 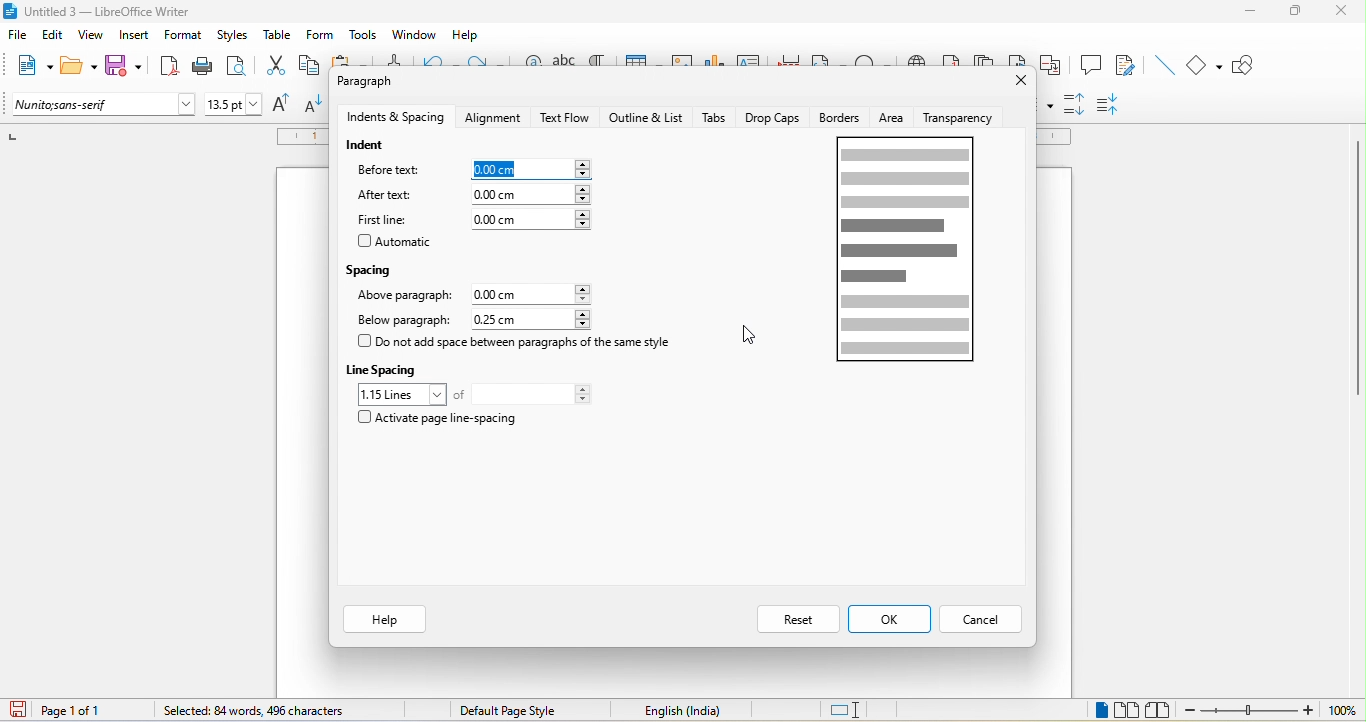 I want to click on font name, so click(x=105, y=105).